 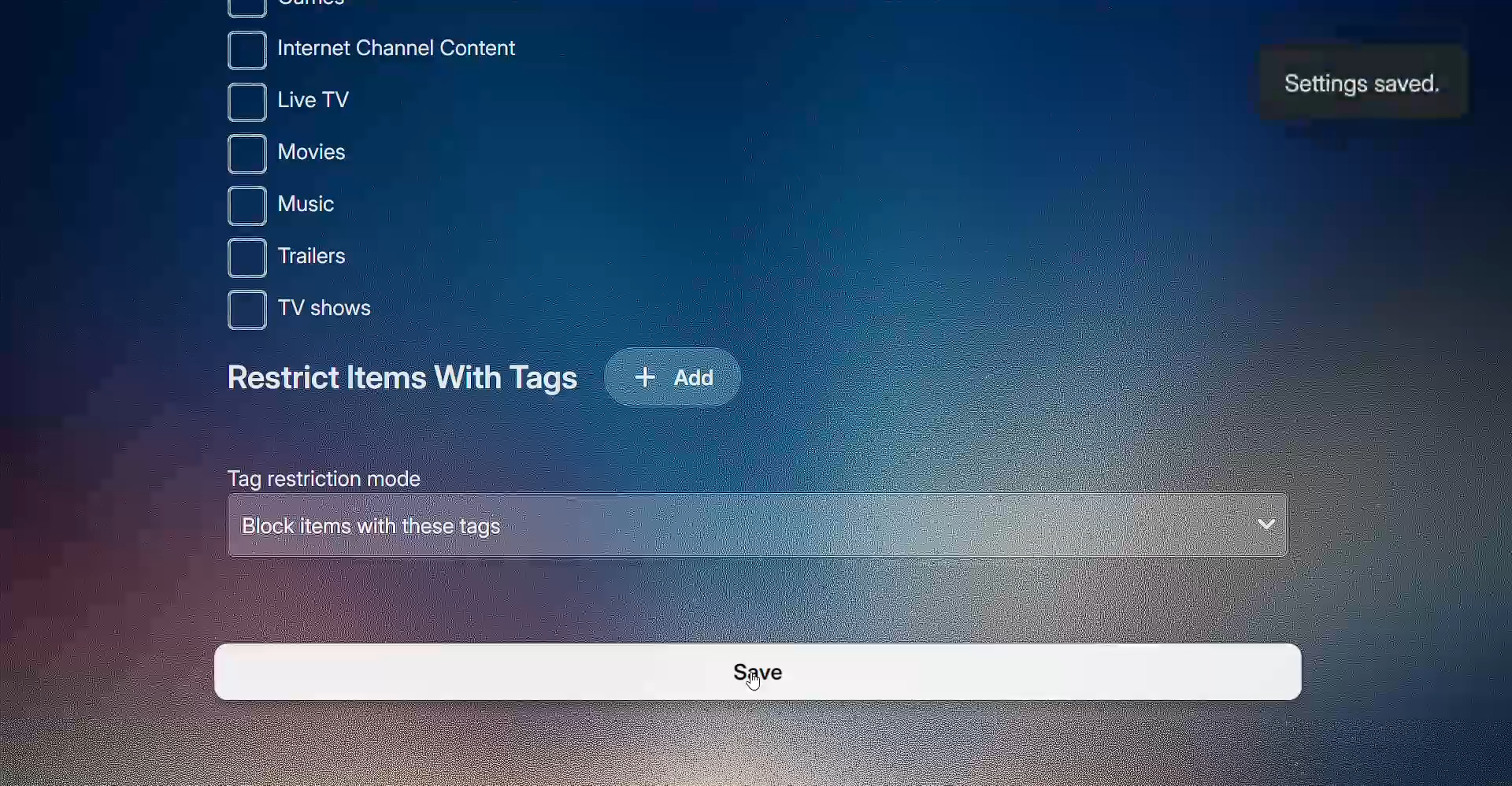 I want to click on Music, so click(x=319, y=207).